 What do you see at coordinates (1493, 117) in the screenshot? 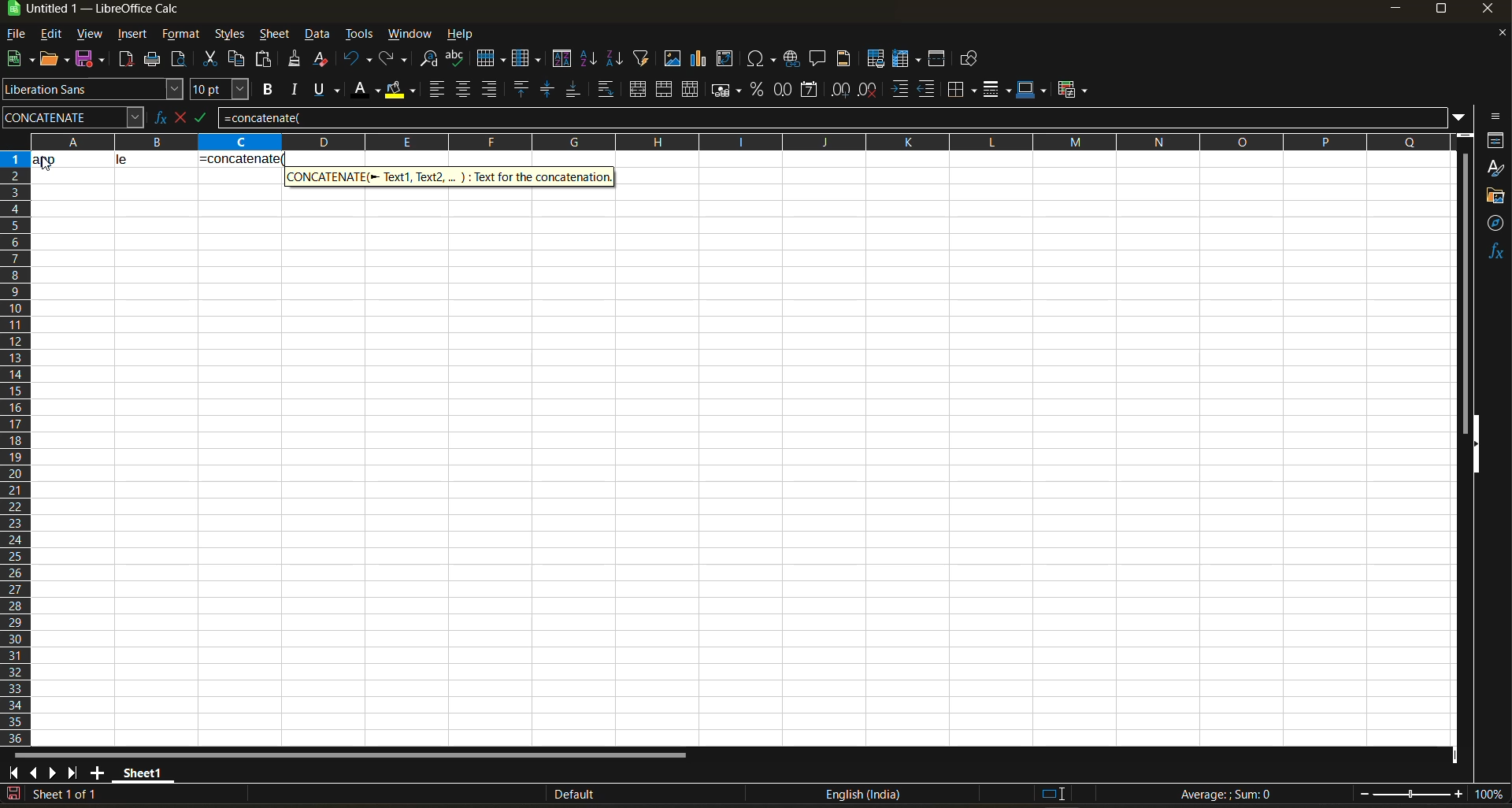
I see `sidebar settings` at bounding box center [1493, 117].